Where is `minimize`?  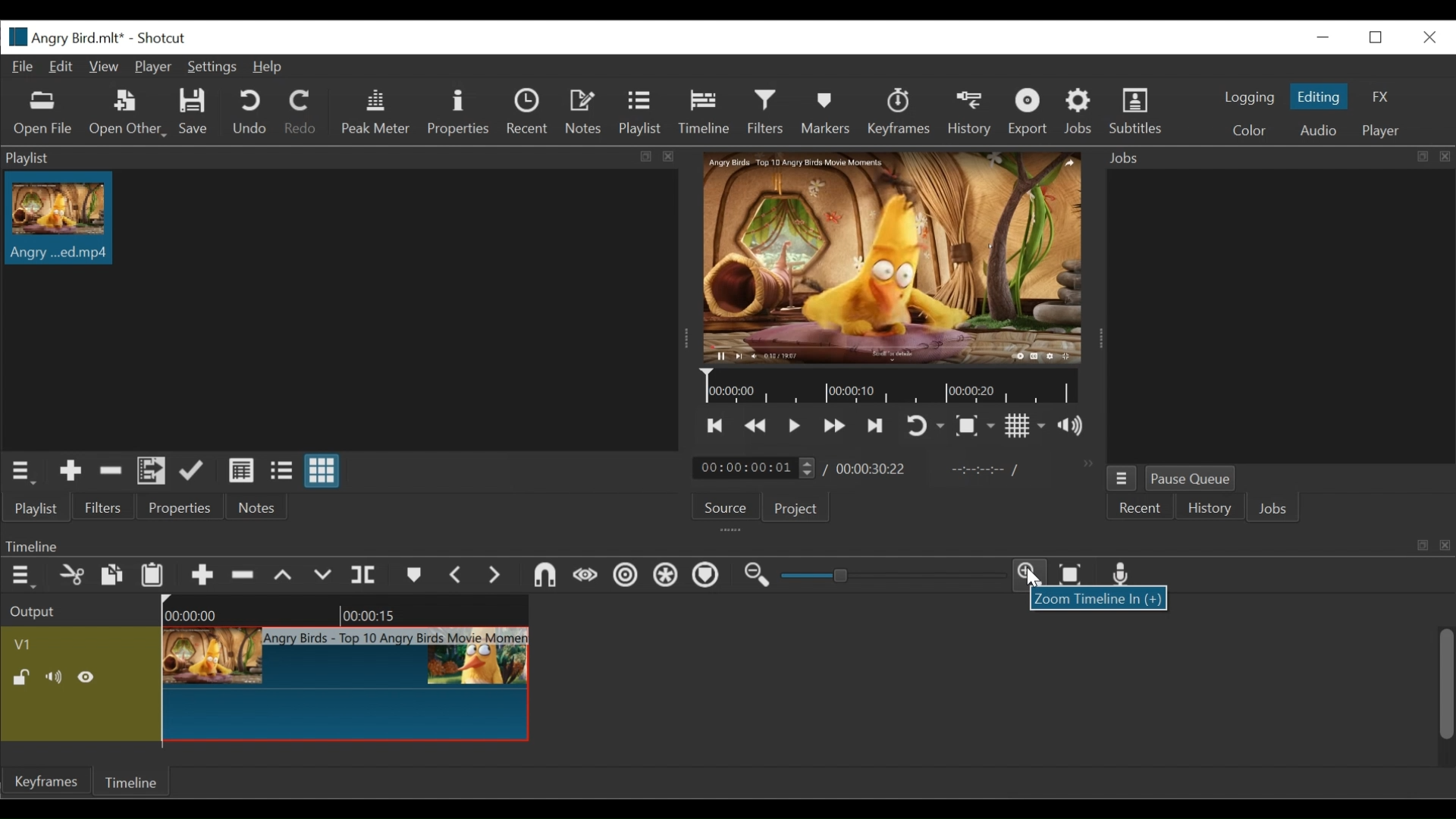
minimize is located at coordinates (1323, 37).